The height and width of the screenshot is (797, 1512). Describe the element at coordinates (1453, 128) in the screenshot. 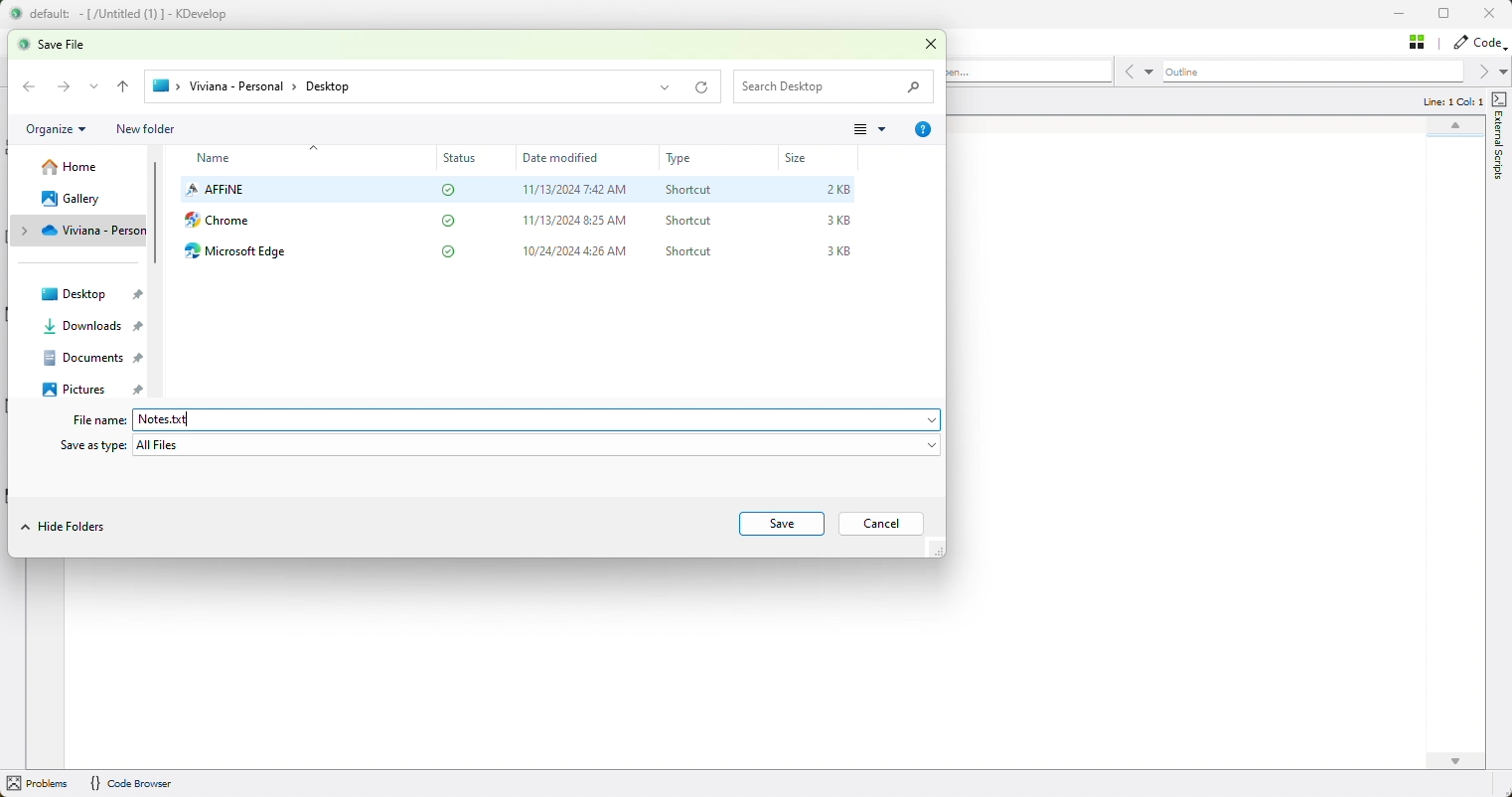

I see `scroll up` at that location.